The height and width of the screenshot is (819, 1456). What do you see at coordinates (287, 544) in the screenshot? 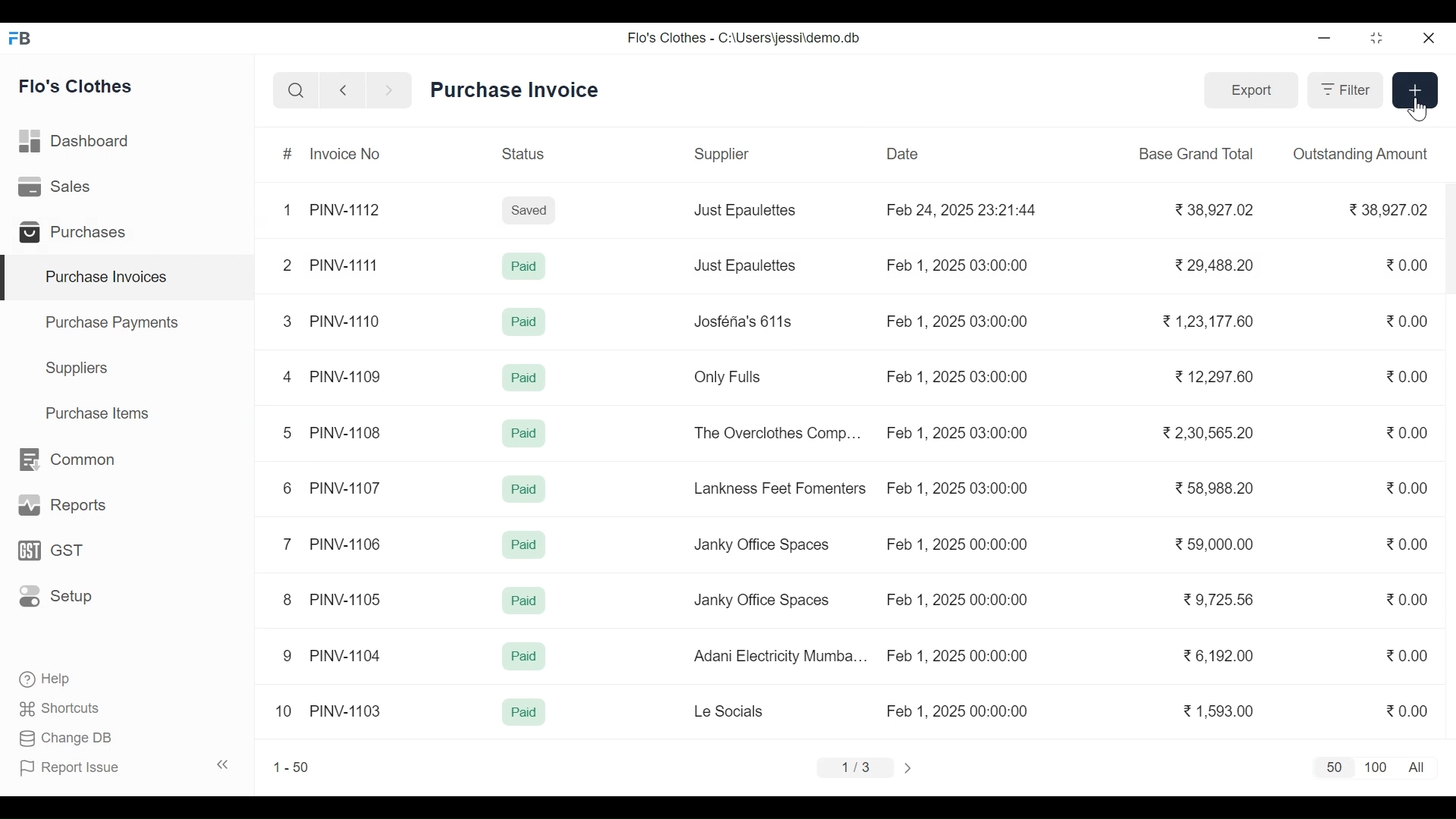
I see `7` at bounding box center [287, 544].